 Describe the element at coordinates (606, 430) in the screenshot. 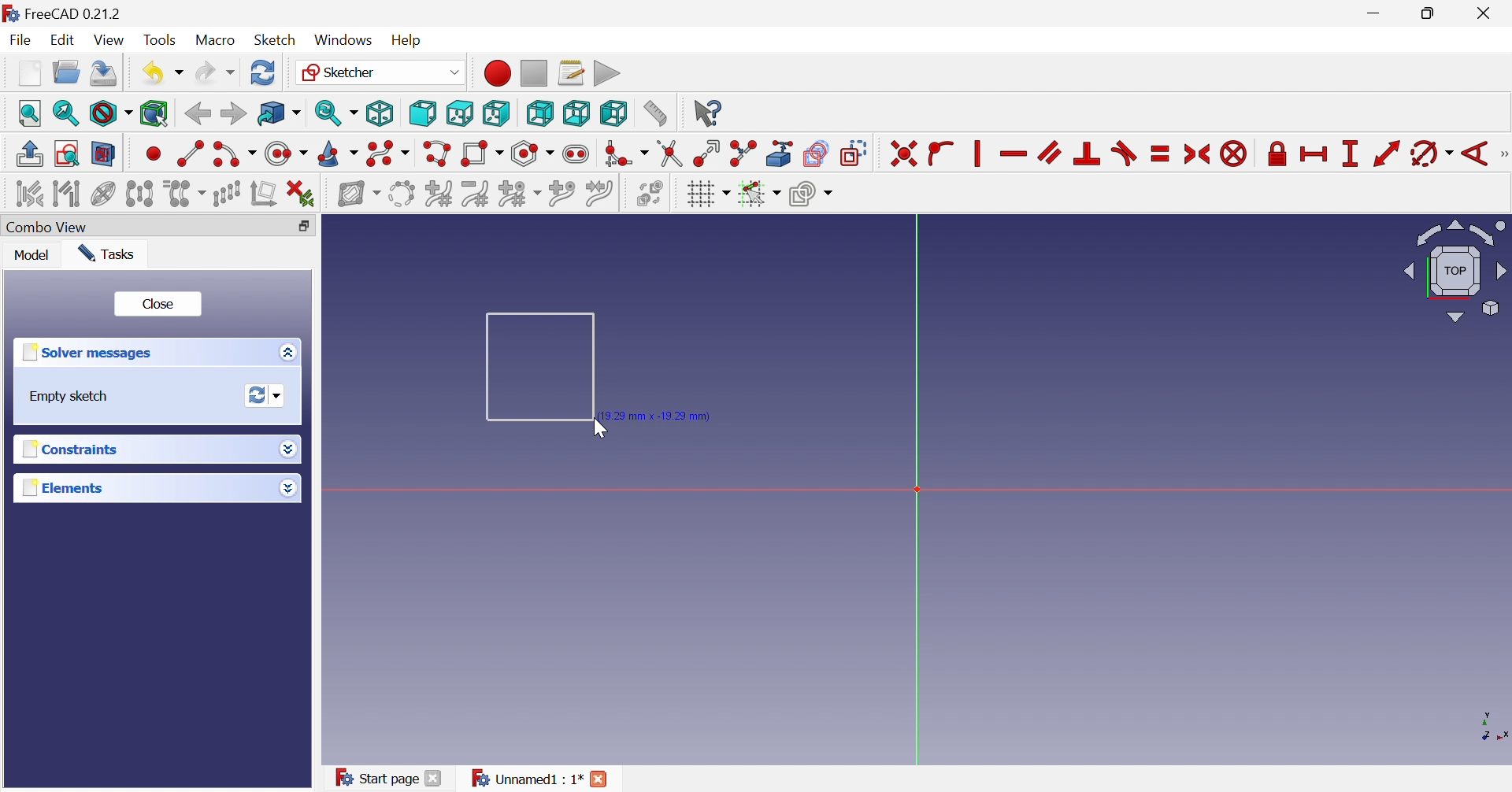

I see `Cursor` at that location.